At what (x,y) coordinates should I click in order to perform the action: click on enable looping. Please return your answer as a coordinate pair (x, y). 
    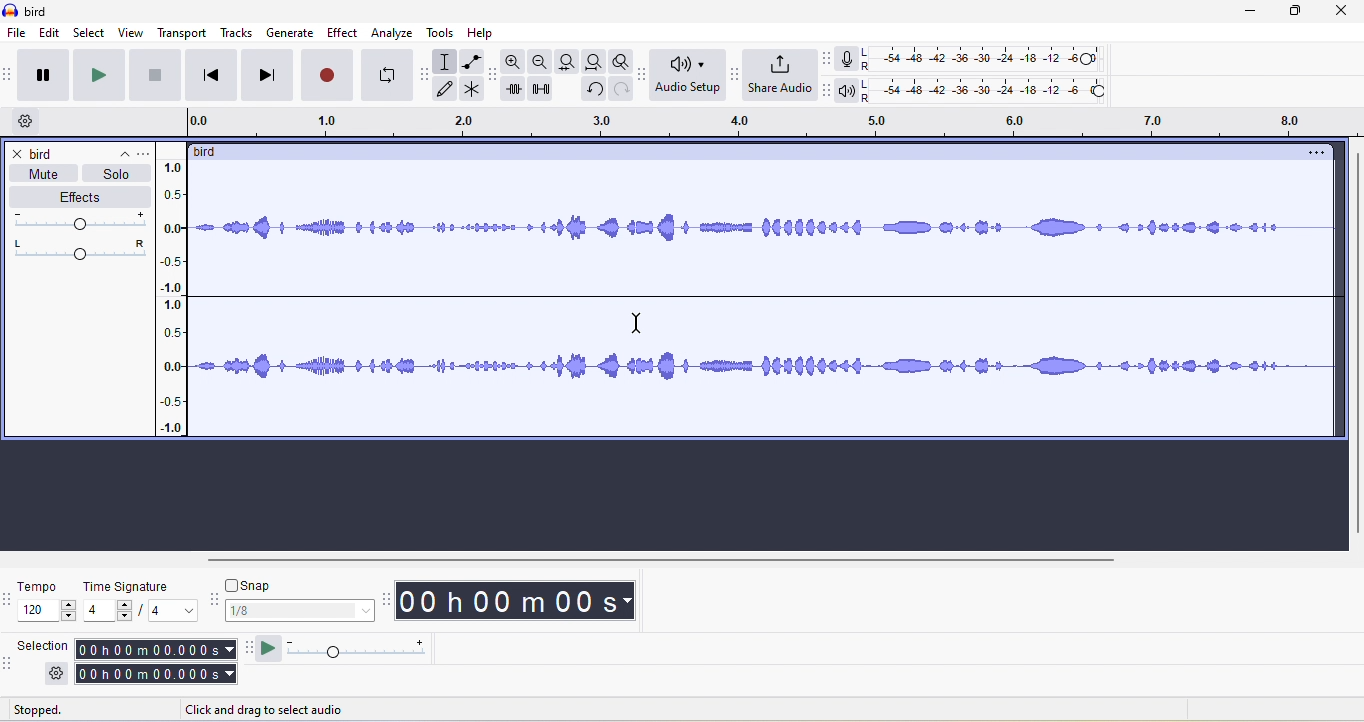
    Looking at the image, I should click on (387, 76).